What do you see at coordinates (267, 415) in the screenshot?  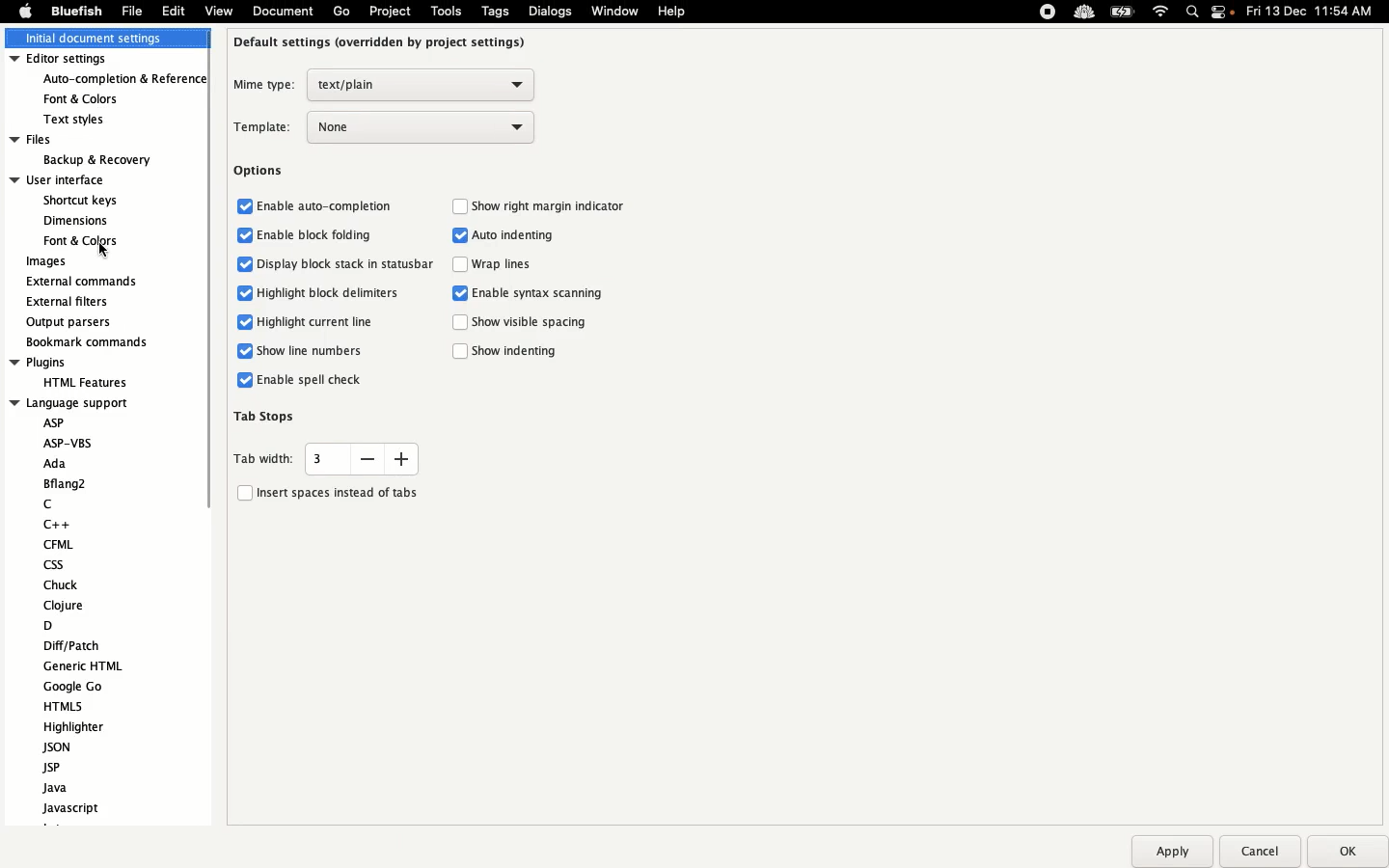 I see `Tab stops` at bounding box center [267, 415].